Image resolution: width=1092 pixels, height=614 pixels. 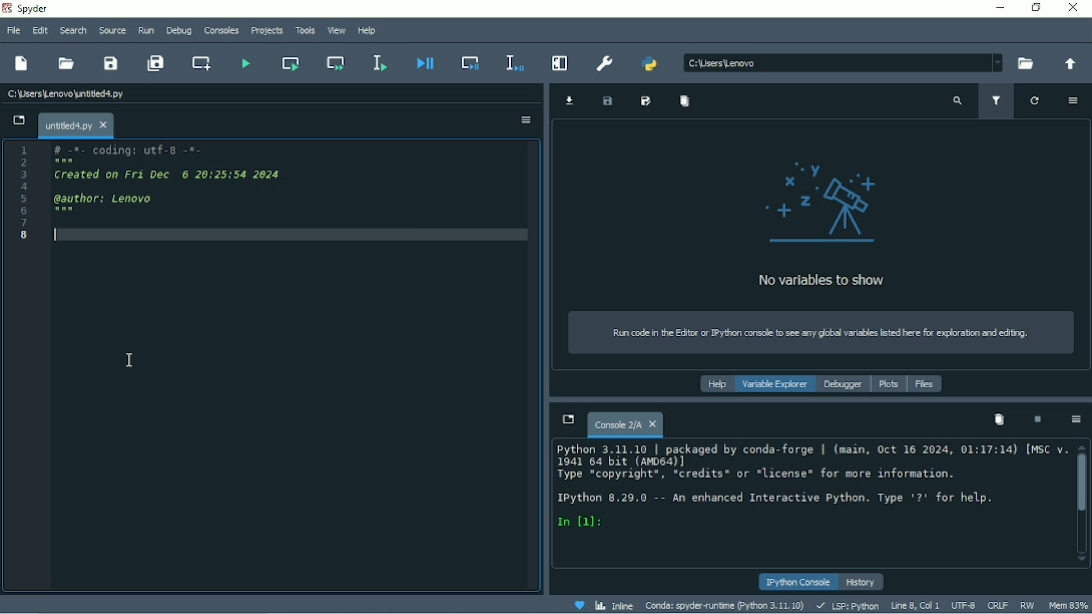 I want to click on 19 -e- codingt utt-p -o-
§ Created on pri onc o z0izsise 20s

S awthors onovo

io

8, so click(x=217, y=202).